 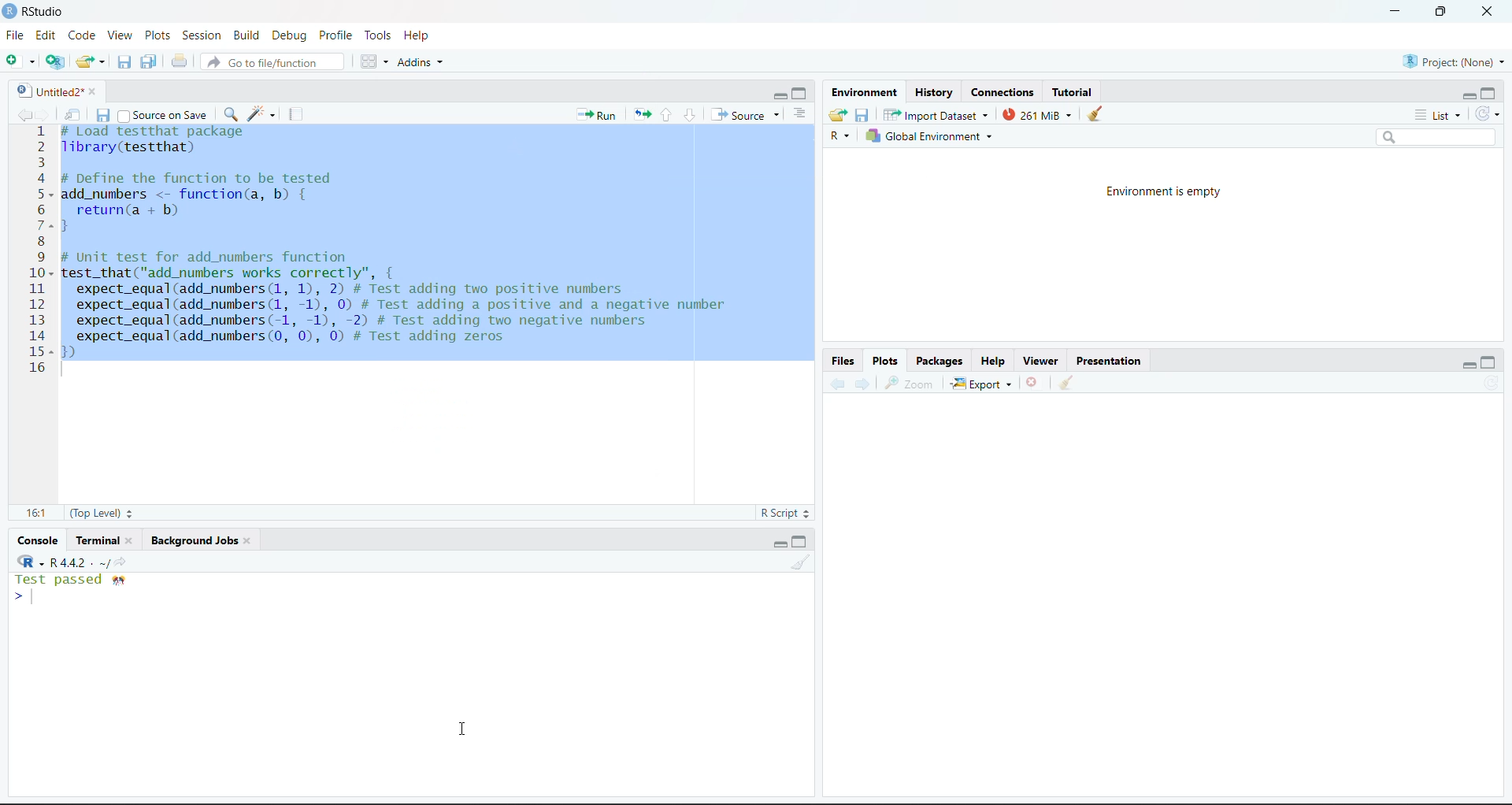 I want to click on Packages, so click(x=939, y=362).